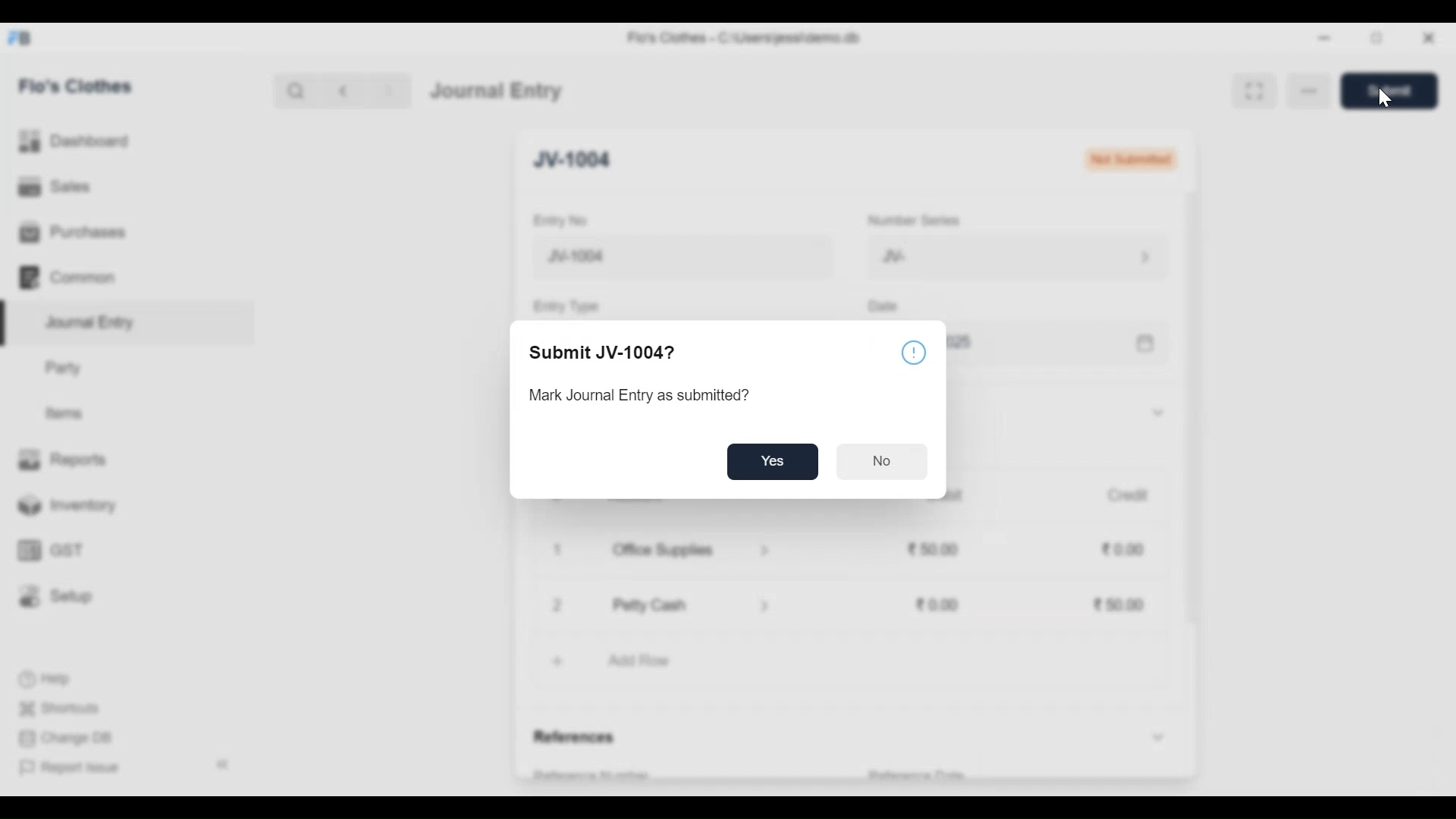 Image resolution: width=1456 pixels, height=819 pixels. Describe the element at coordinates (1383, 99) in the screenshot. I see `Cursor` at that location.